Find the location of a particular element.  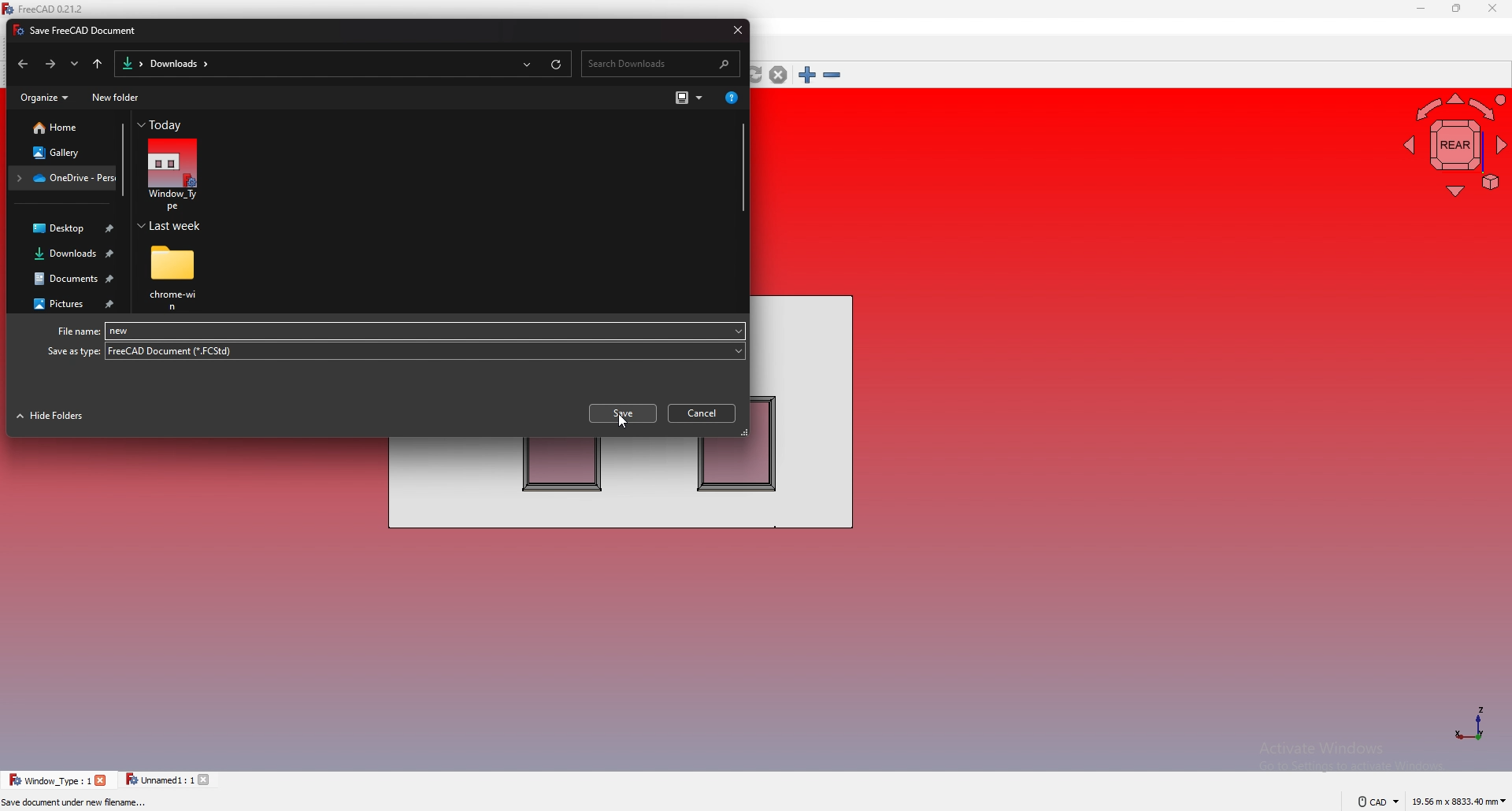

change your view is located at coordinates (688, 97).